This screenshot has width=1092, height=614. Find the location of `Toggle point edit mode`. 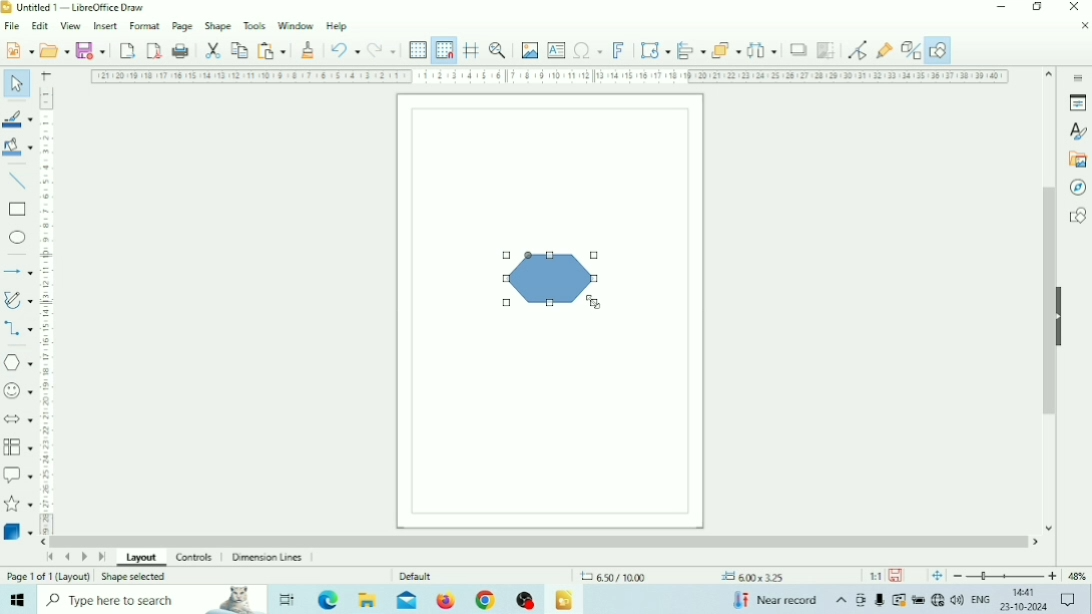

Toggle point edit mode is located at coordinates (858, 50).